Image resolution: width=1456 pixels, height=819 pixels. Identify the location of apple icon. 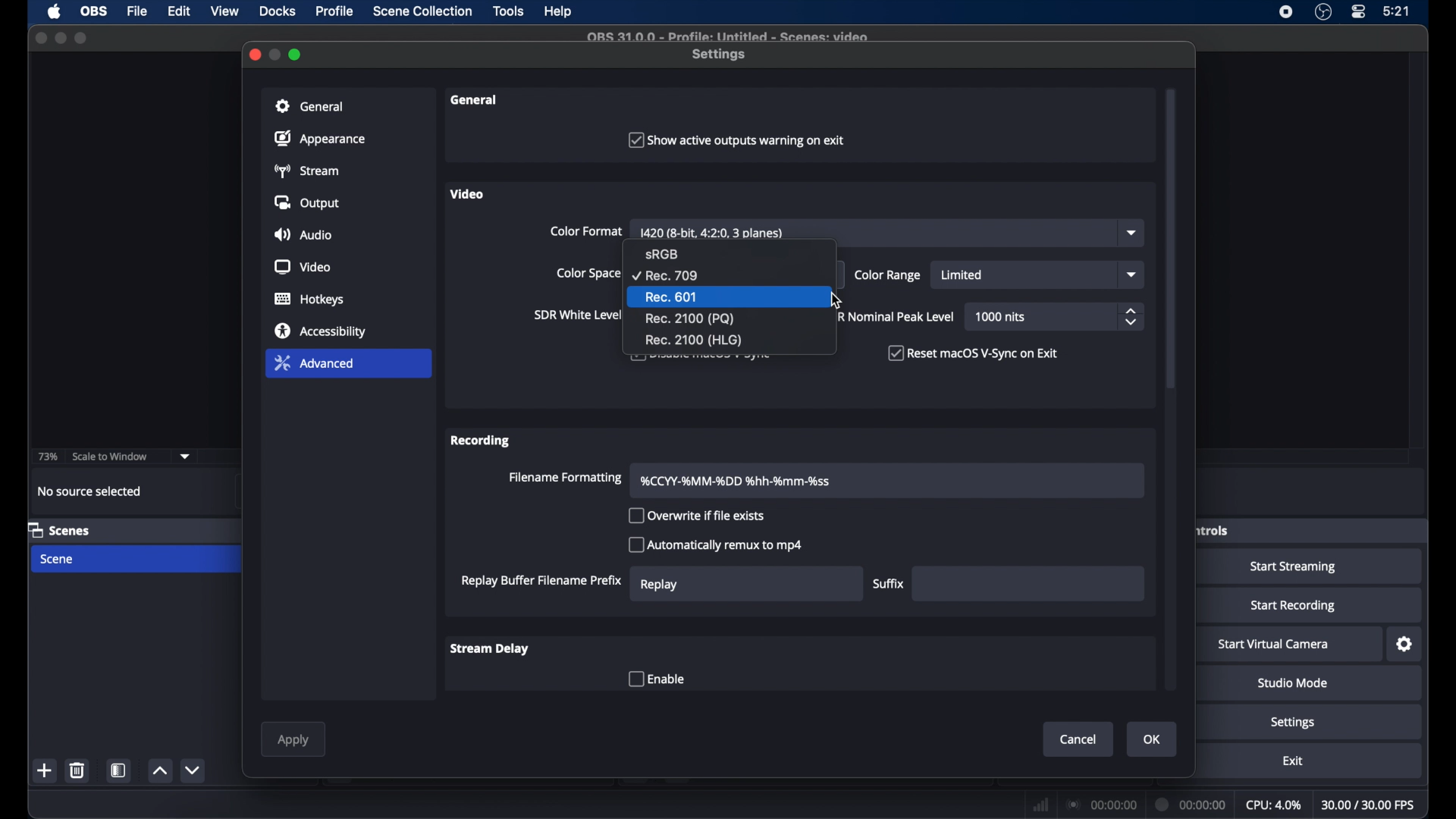
(54, 11).